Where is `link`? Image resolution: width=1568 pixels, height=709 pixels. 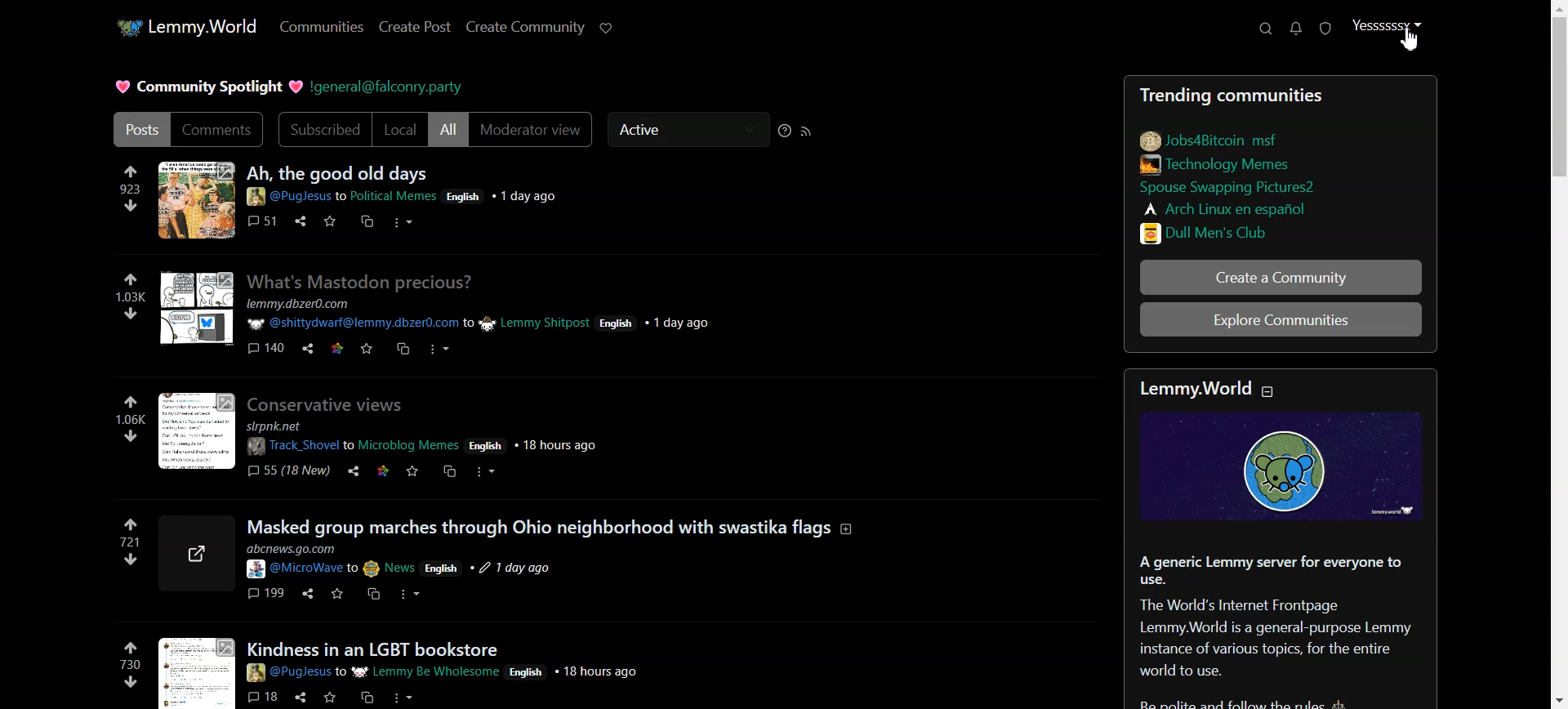
link is located at coordinates (1210, 139).